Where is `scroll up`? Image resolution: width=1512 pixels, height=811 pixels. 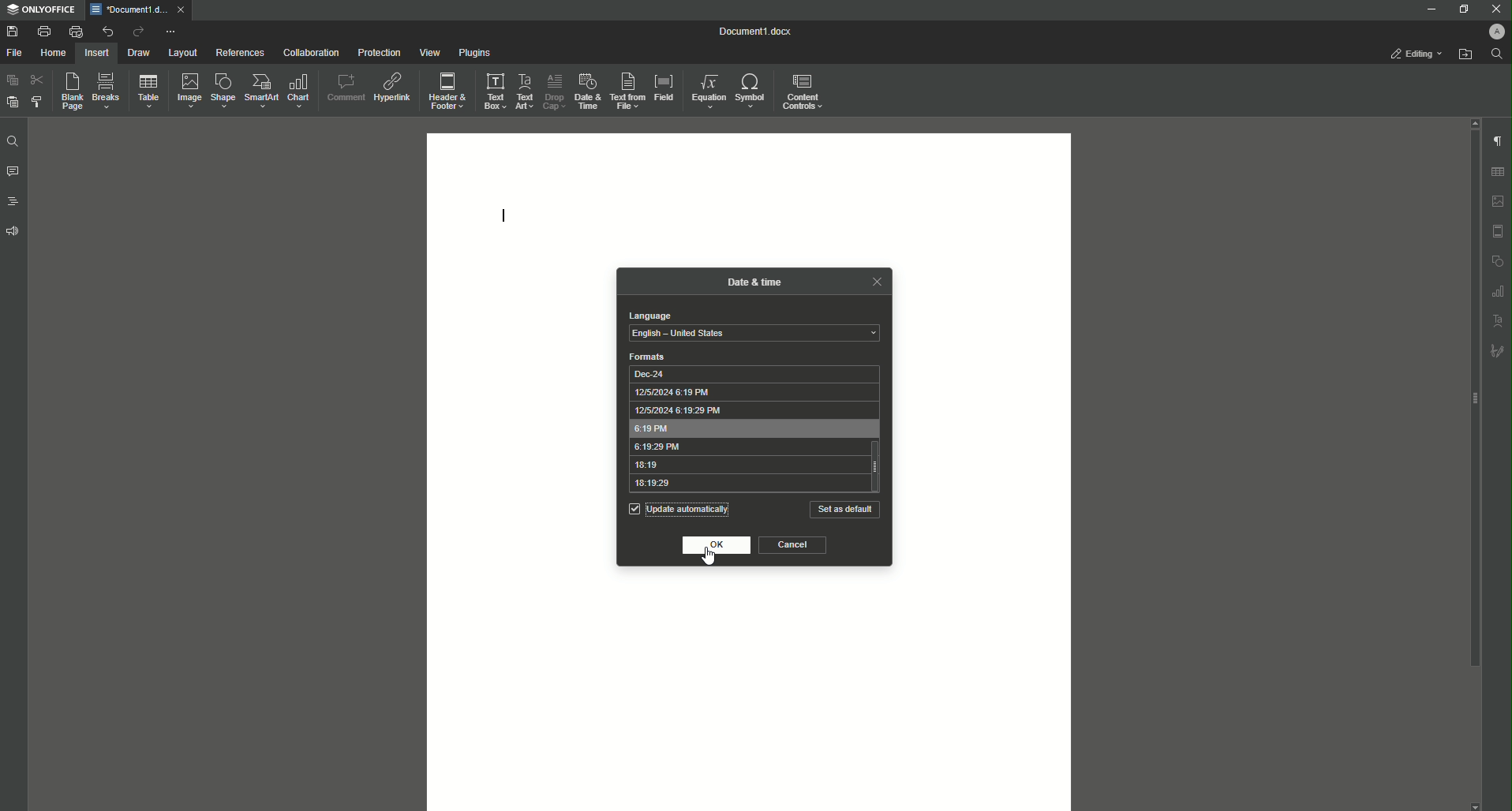 scroll up is located at coordinates (1473, 122).